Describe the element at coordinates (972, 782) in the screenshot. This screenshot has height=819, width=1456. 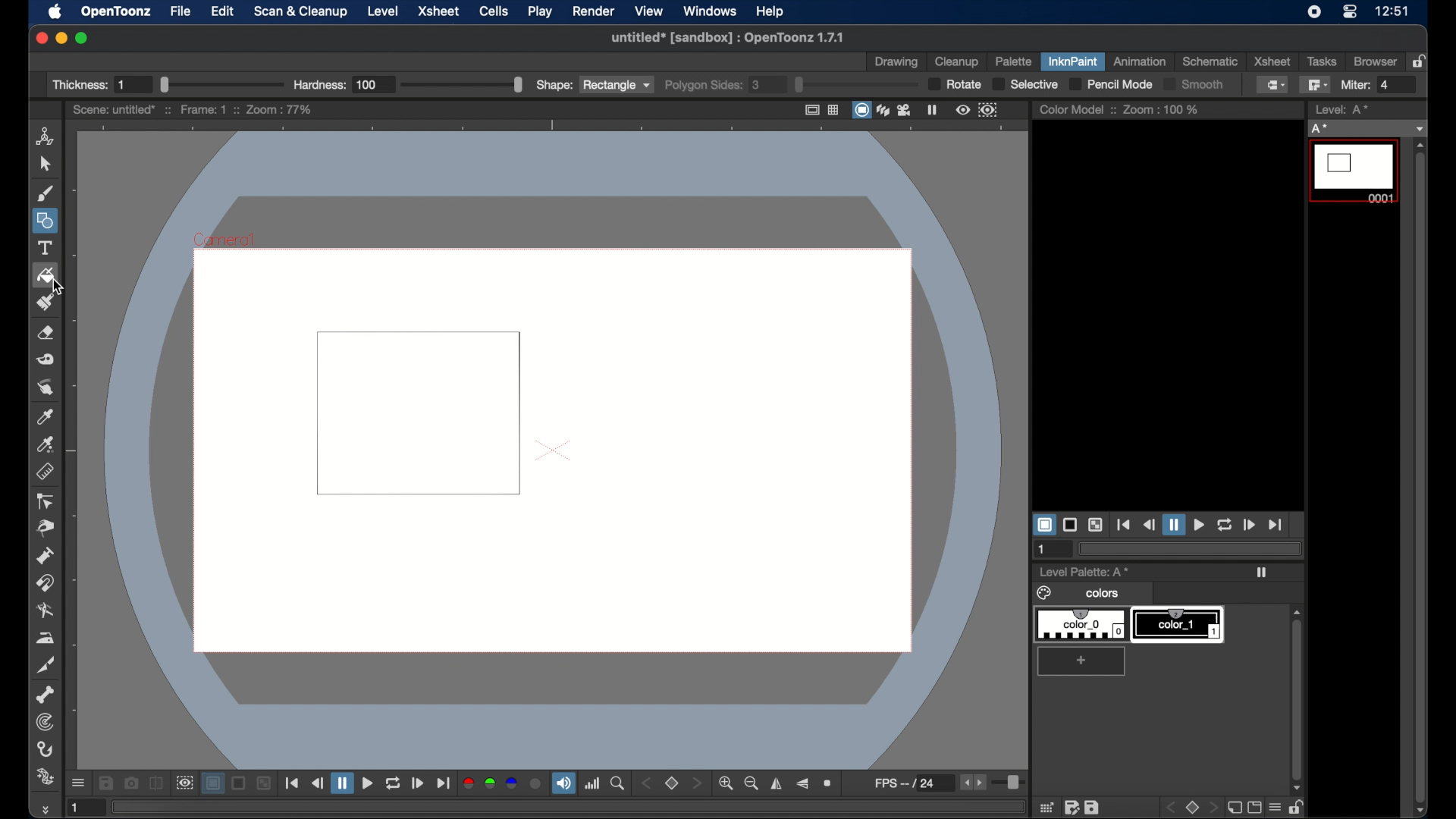
I see `stepper buttons` at that location.